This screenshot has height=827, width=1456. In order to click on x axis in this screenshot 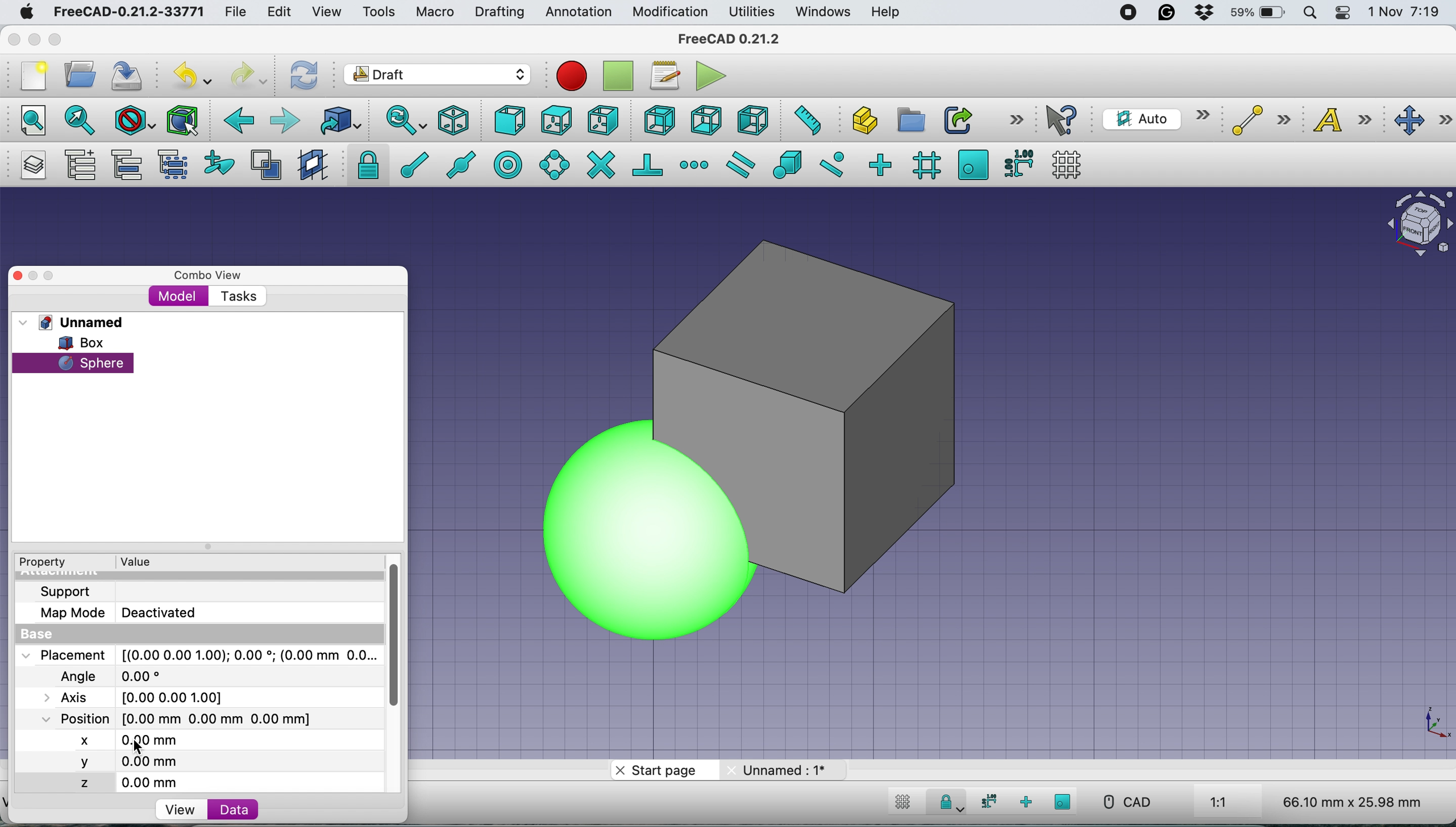, I will do `click(126, 738)`.